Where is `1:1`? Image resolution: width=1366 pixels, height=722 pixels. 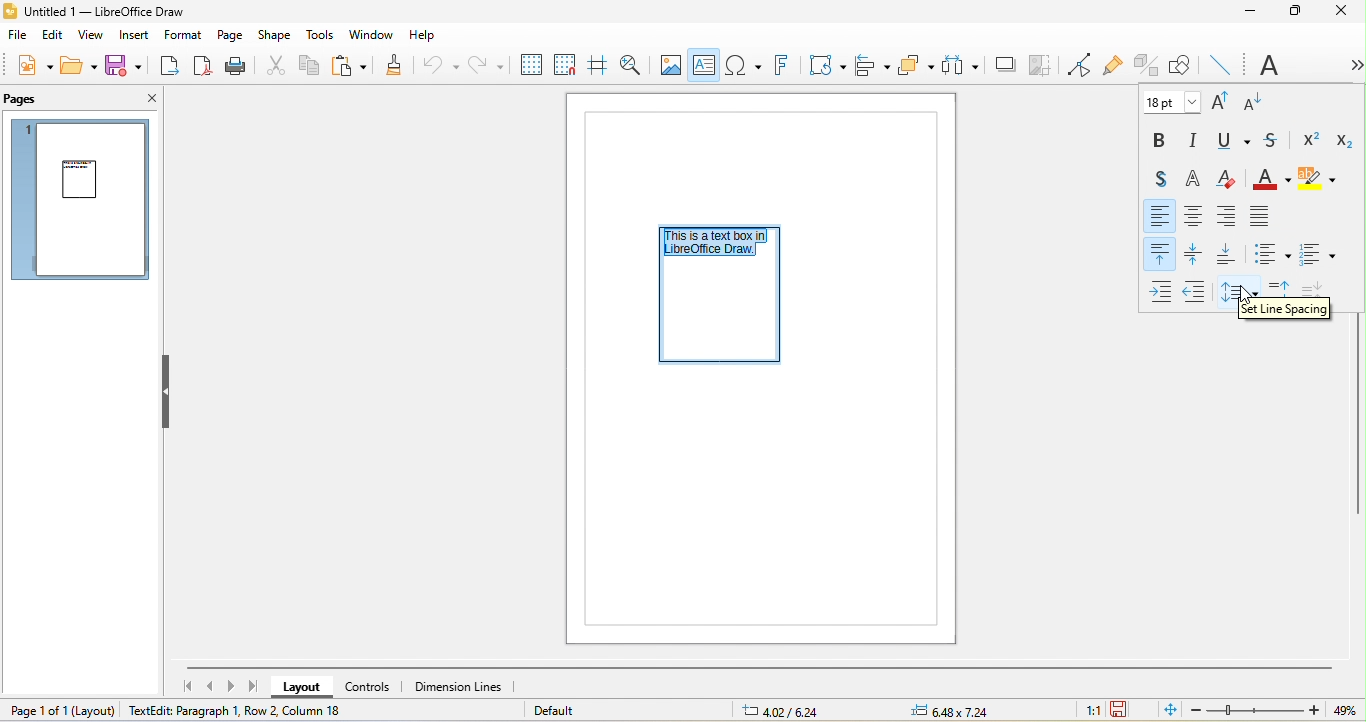
1:1 is located at coordinates (1092, 710).